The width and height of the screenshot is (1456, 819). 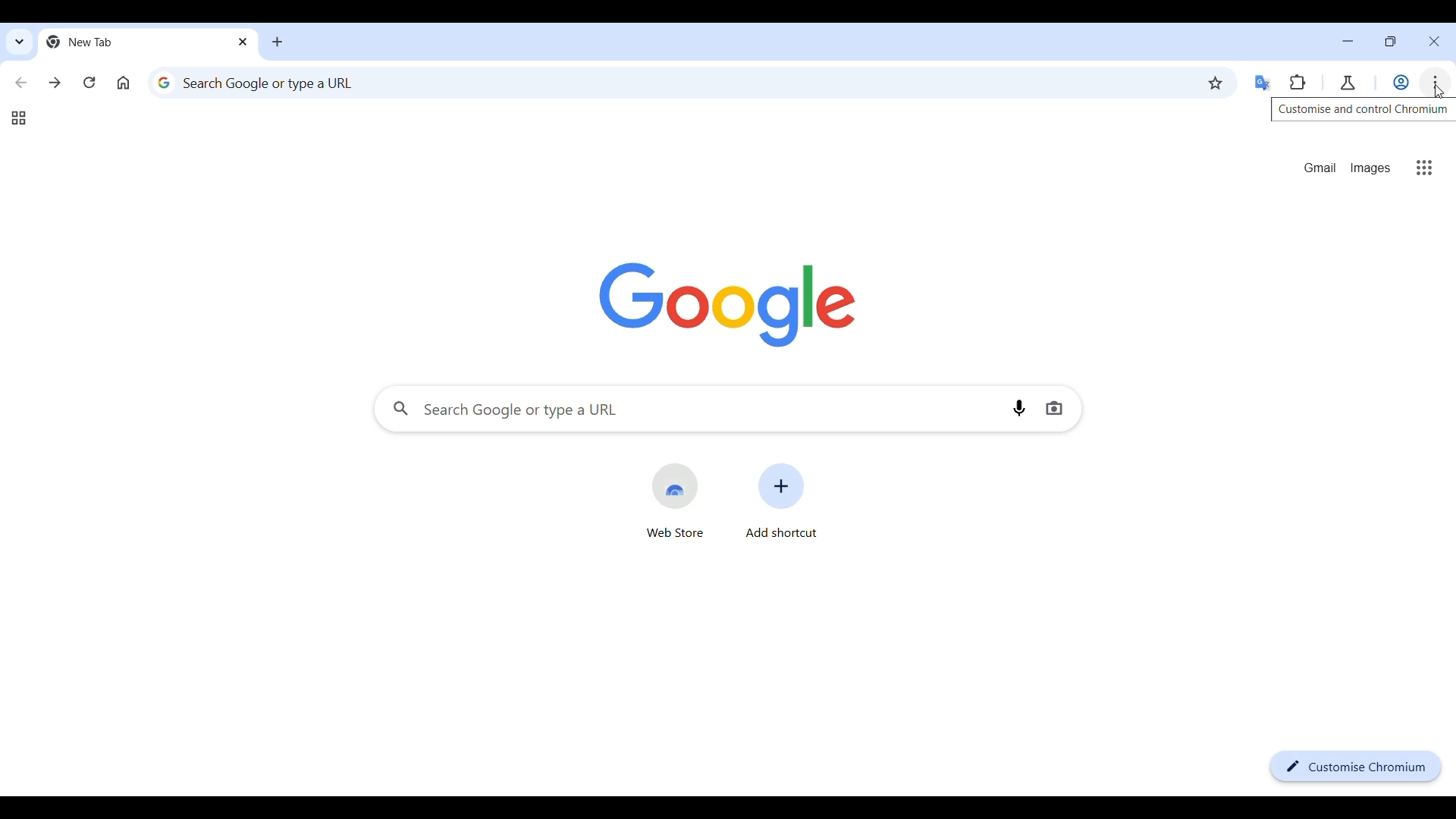 What do you see at coordinates (782, 500) in the screenshot?
I see `Add shortcut` at bounding box center [782, 500].